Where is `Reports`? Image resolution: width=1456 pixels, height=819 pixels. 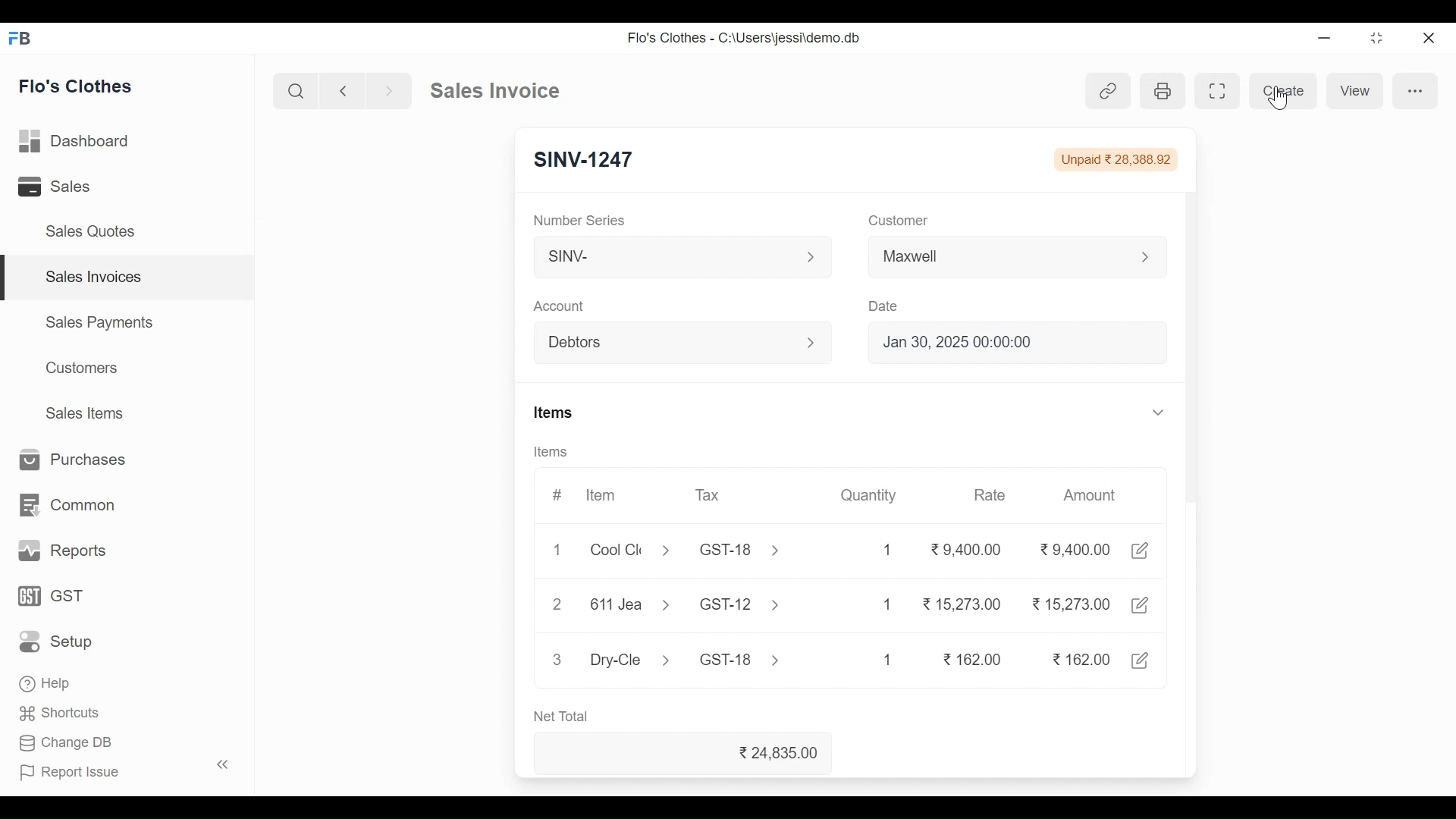 Reports is located at coordinates (59, 551).